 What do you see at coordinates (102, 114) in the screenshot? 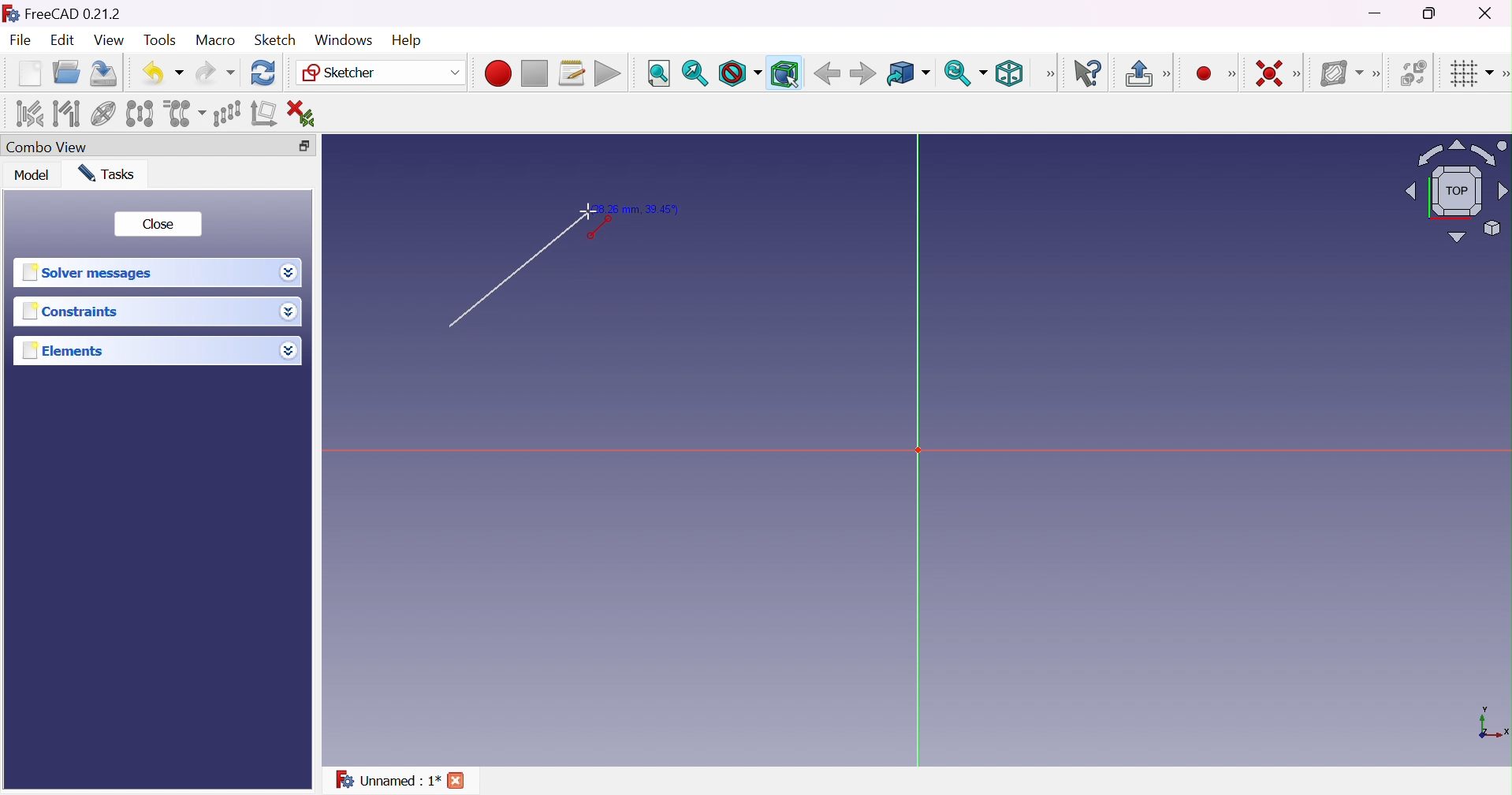
I see `Show/hide internal geometry` at bounding box center [102, 114].